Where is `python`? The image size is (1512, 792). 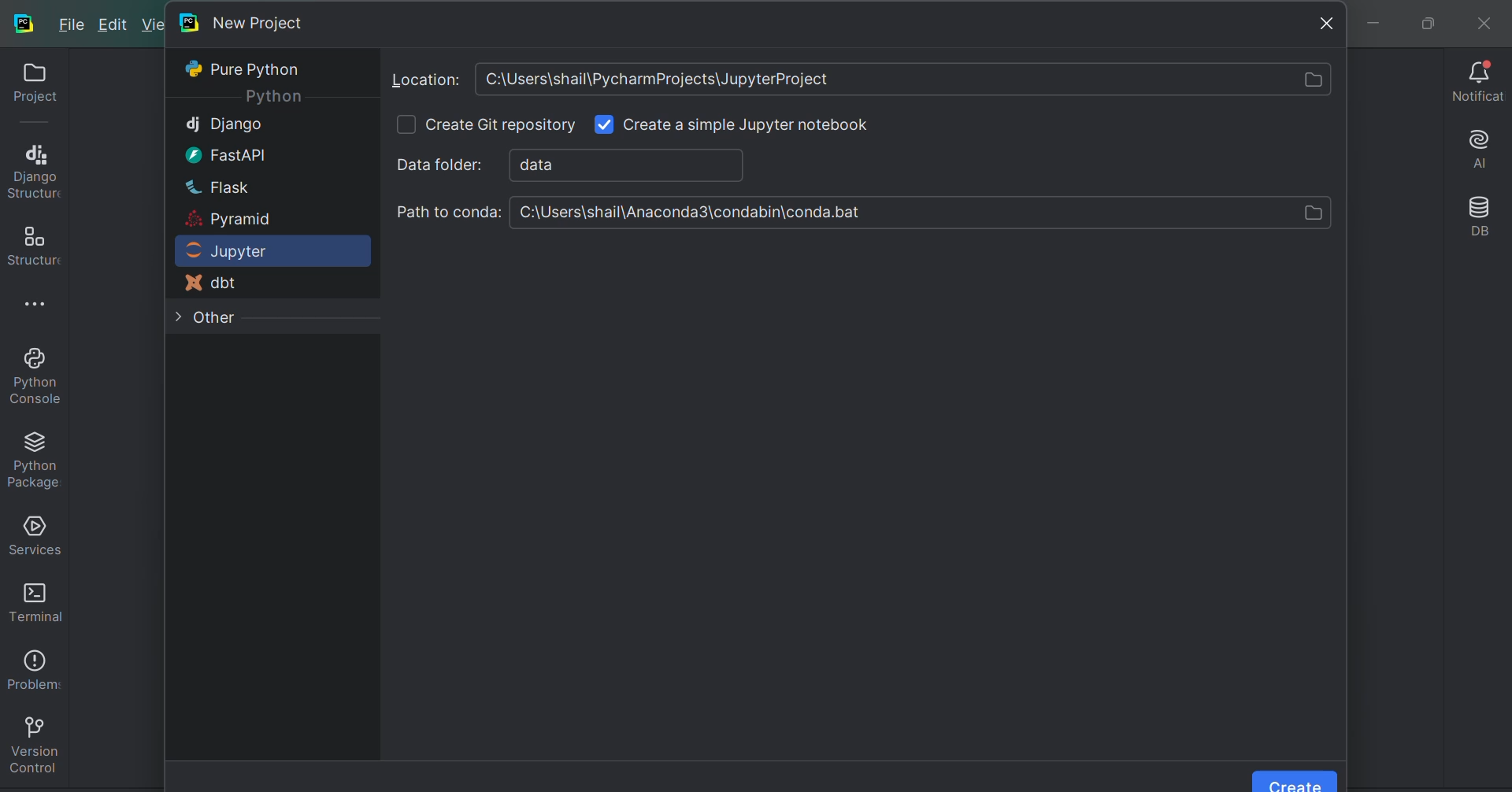 python is located at coordinates (272, 98).